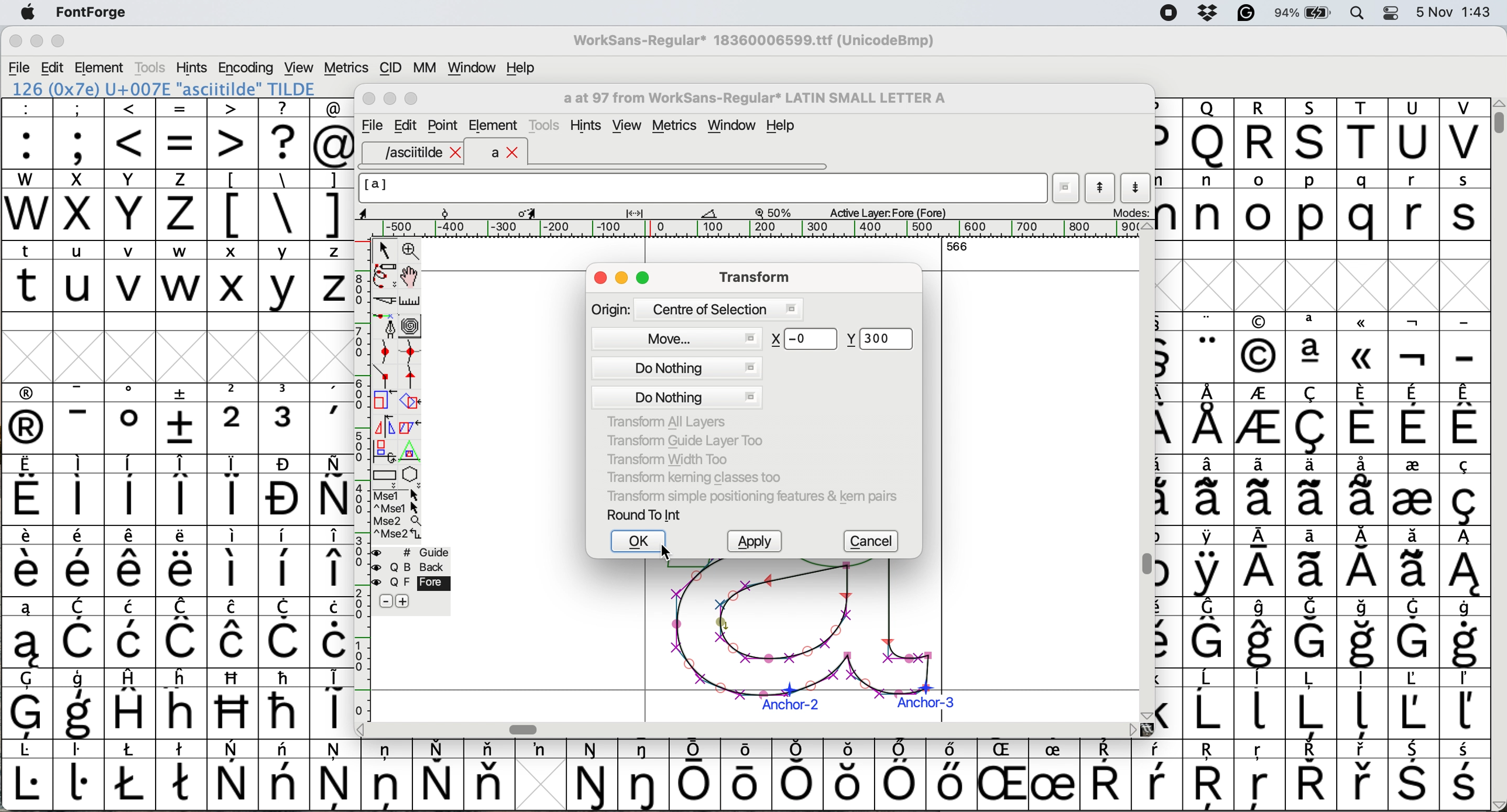 This screenshot has width=1507, height=812. What do you see at coordinates (386, 248) in the screenshot?
I see `select` at bounding box center [386, 248].